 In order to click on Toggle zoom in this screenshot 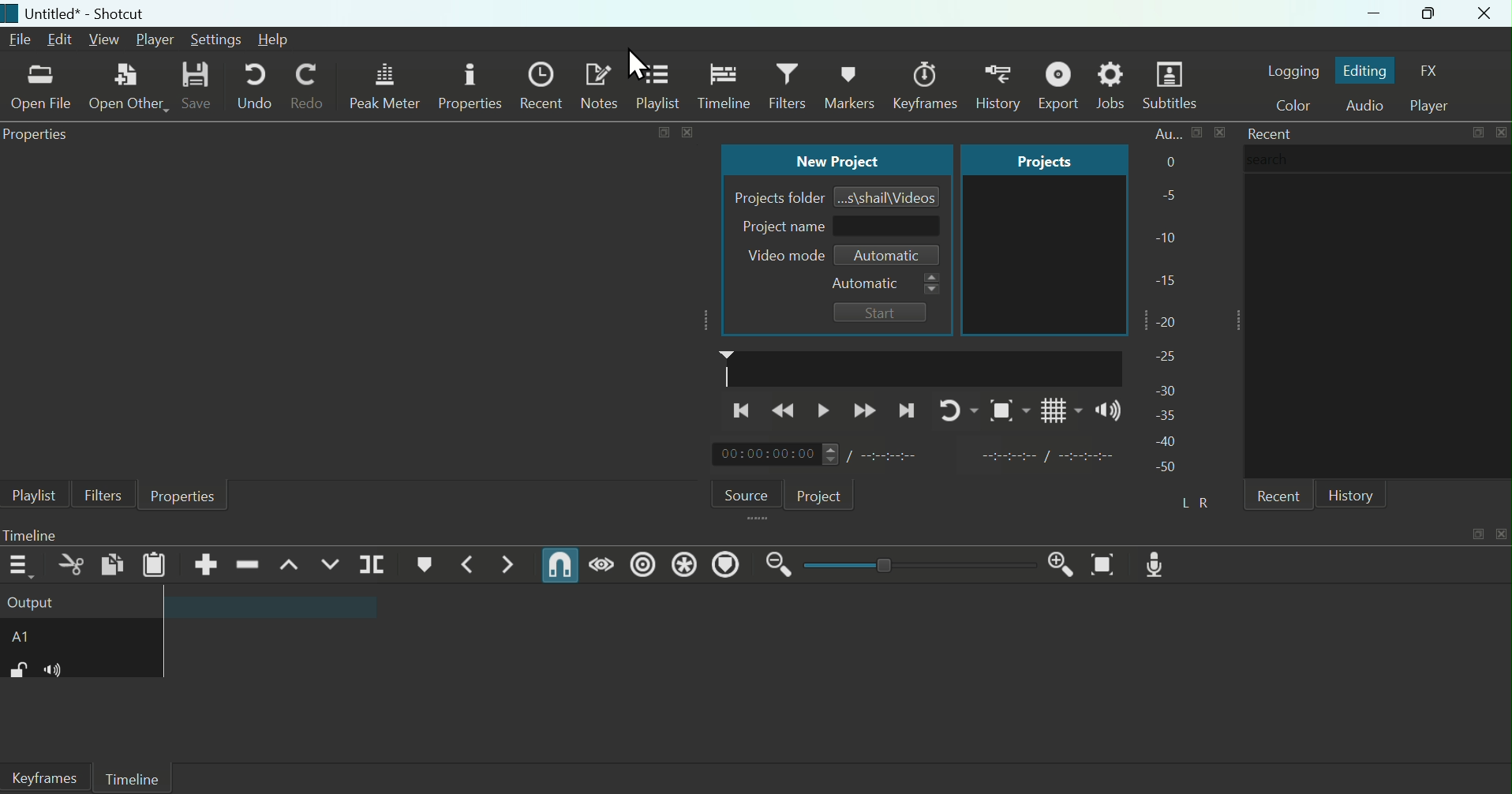, I will do `click(1003, 410)`.